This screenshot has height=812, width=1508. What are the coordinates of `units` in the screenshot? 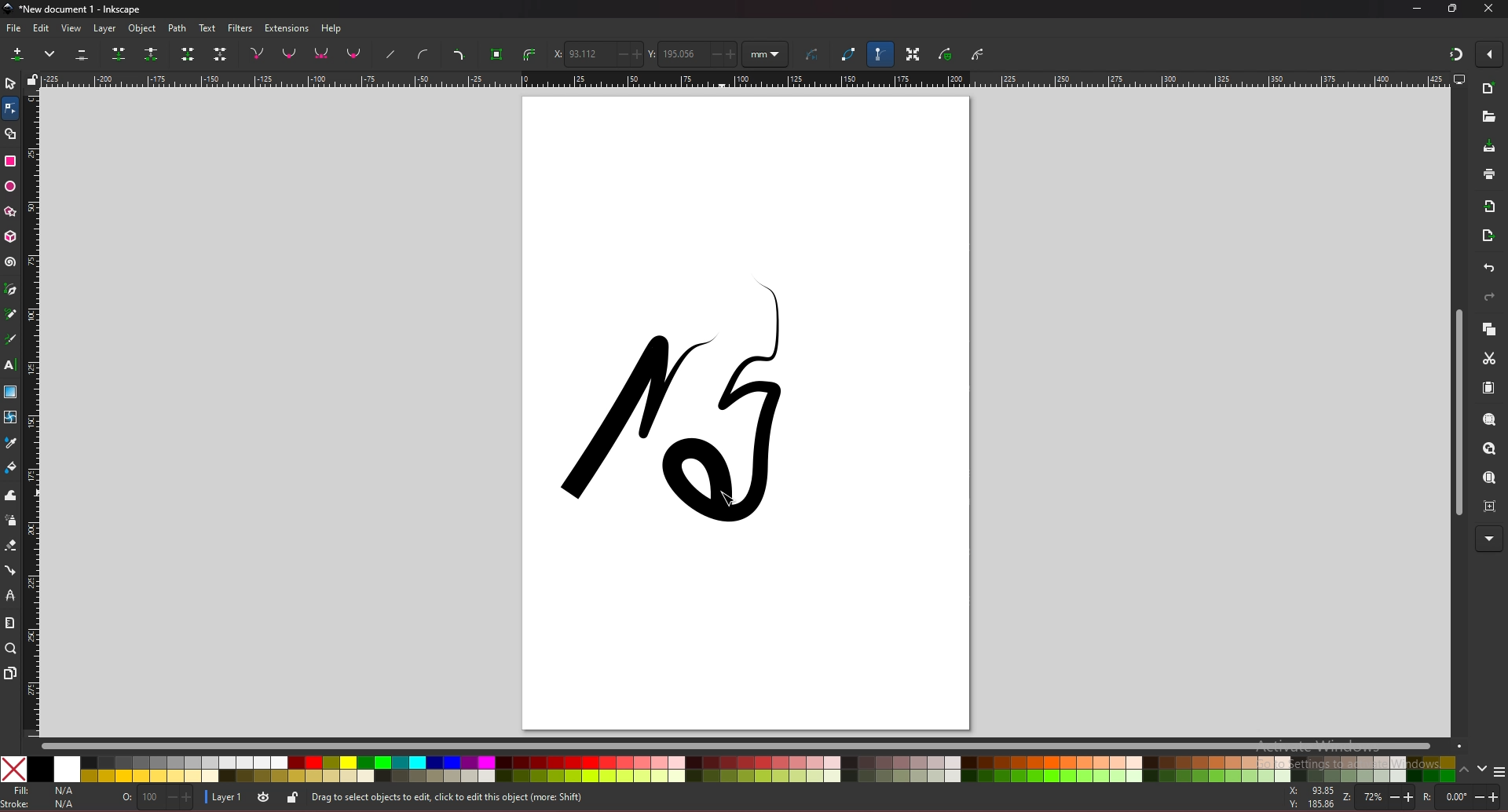 It's located at (766, 55).